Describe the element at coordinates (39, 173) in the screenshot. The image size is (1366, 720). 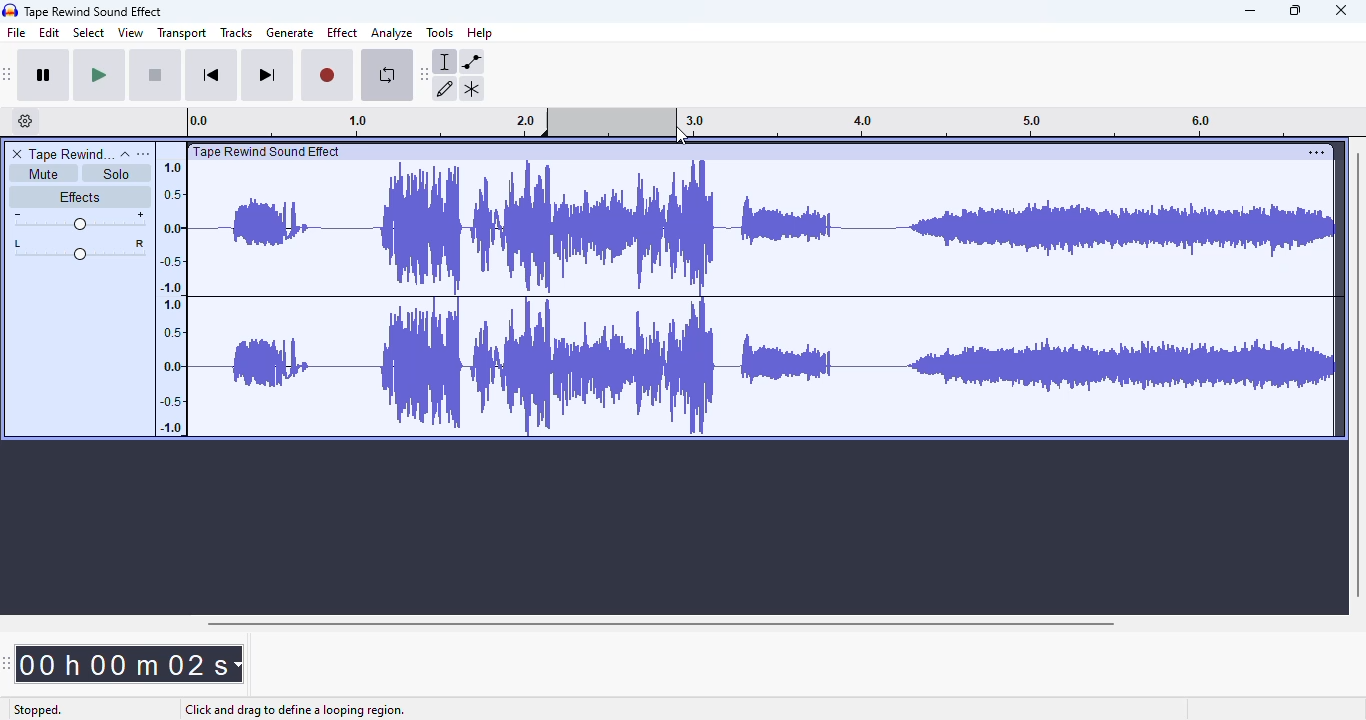
I see `mute` at that location.